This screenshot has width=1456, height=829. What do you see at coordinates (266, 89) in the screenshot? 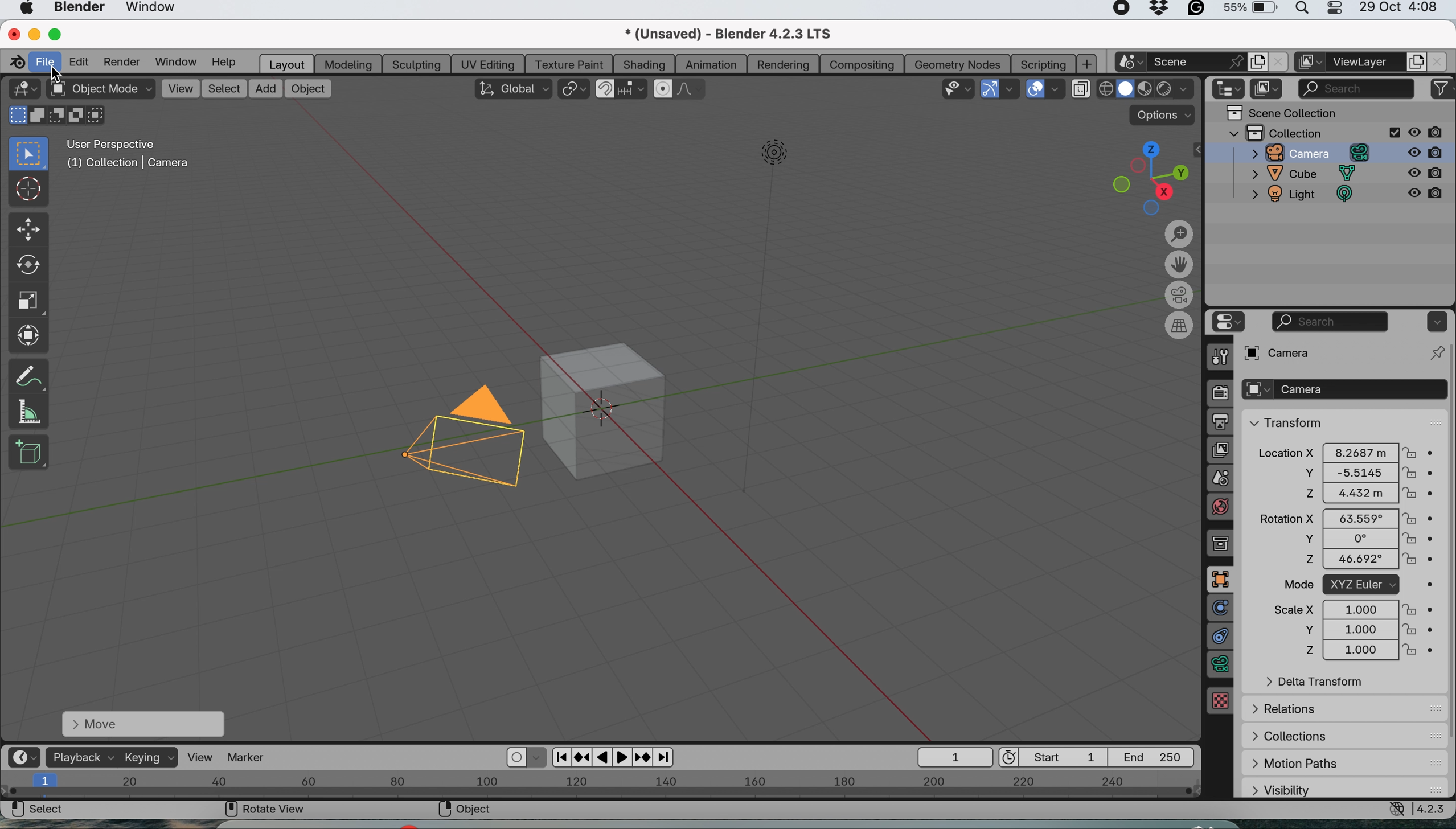
I see `add` at bounding box center [266, 89].